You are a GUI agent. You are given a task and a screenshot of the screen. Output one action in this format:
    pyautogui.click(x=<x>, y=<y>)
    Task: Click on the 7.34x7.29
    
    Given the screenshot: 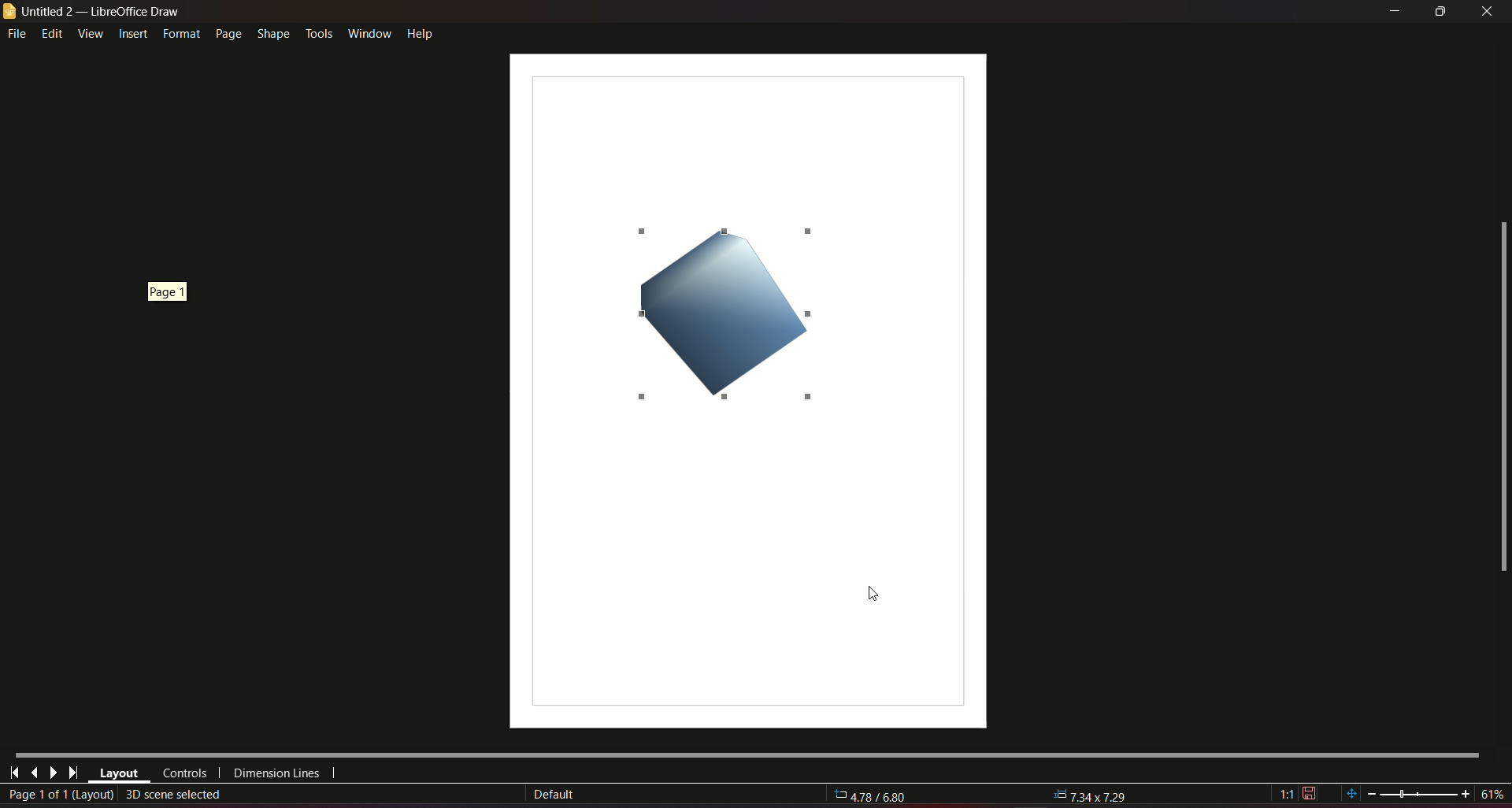 What is the action you would take?
    pyautogui.click(x=1091, y=794)
    